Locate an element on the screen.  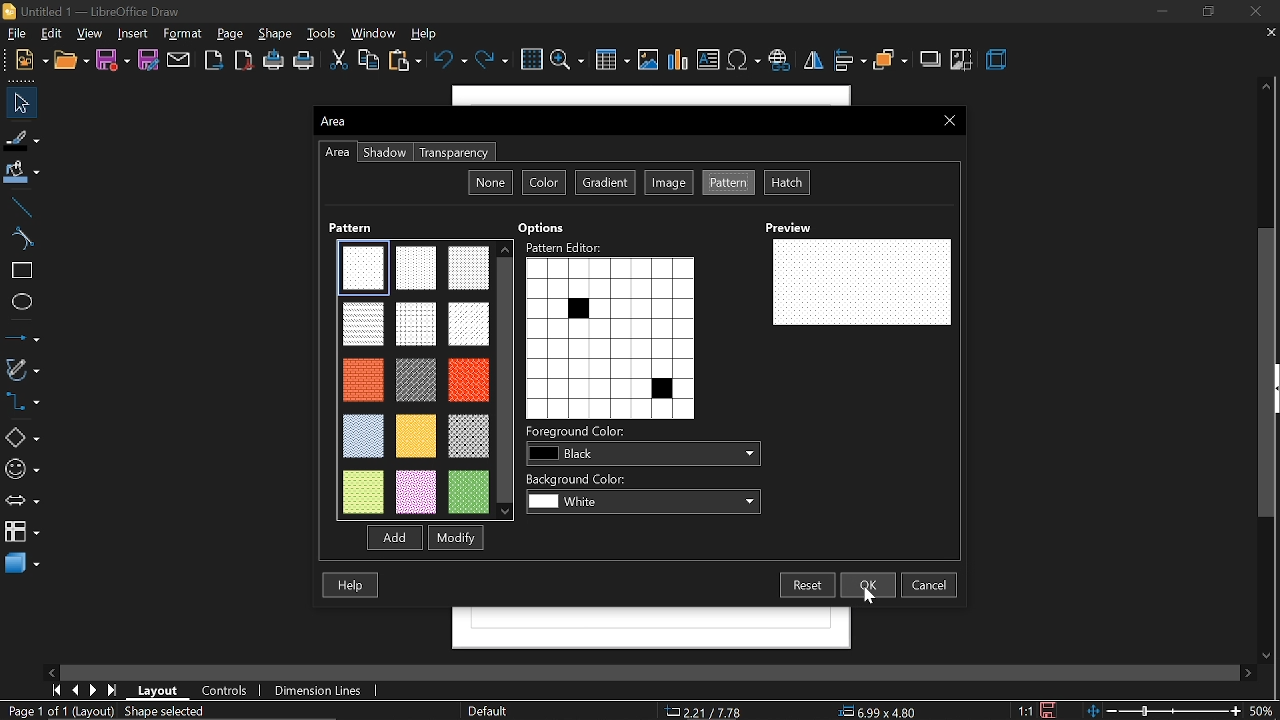
rectangle is located at coordinates (18, 270).